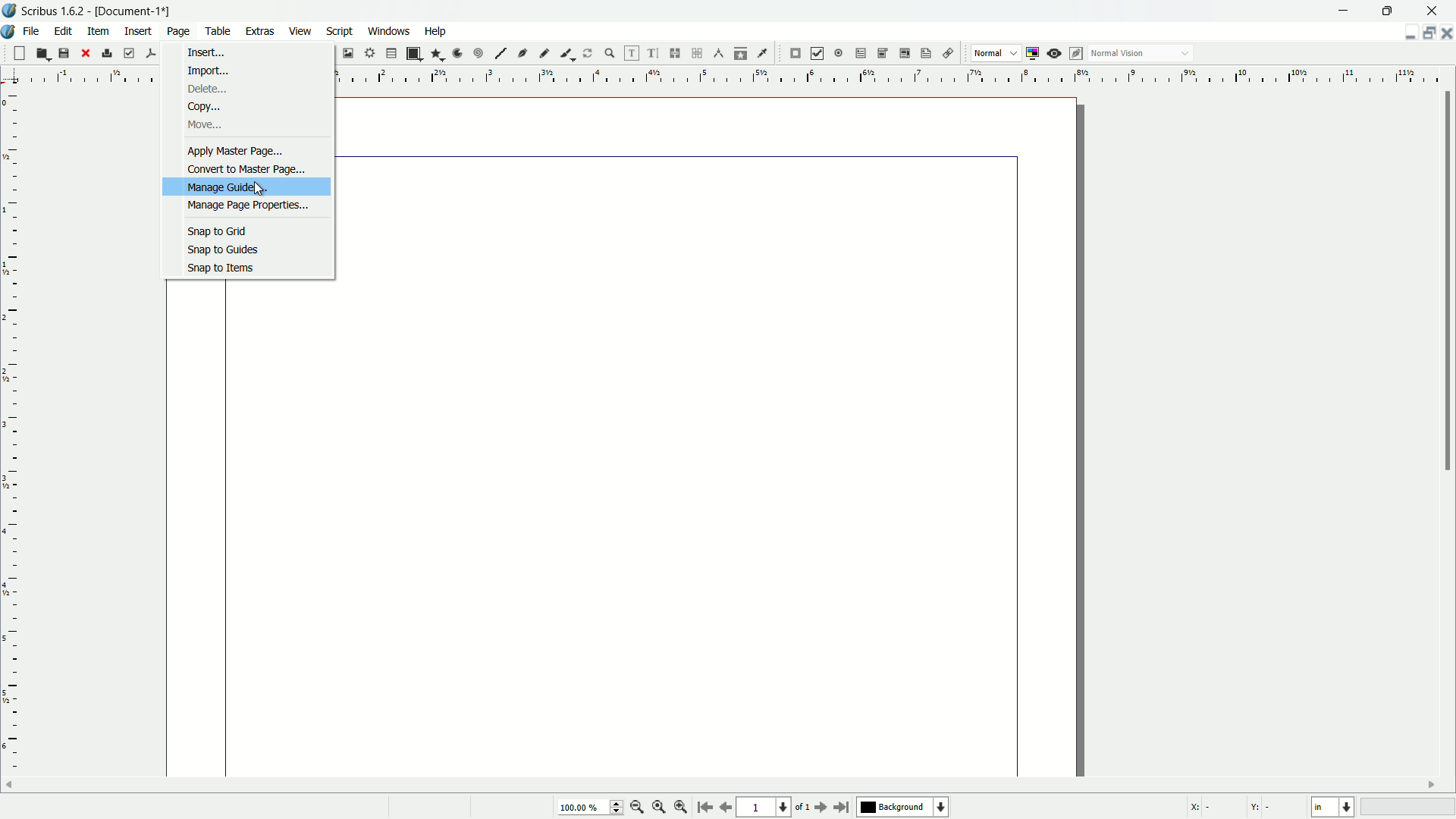 The height and width of the screenshot is (819, 1456). Describe the element at coordinates (1014, 54) in the screenshot. I see `dropdown` at that location.